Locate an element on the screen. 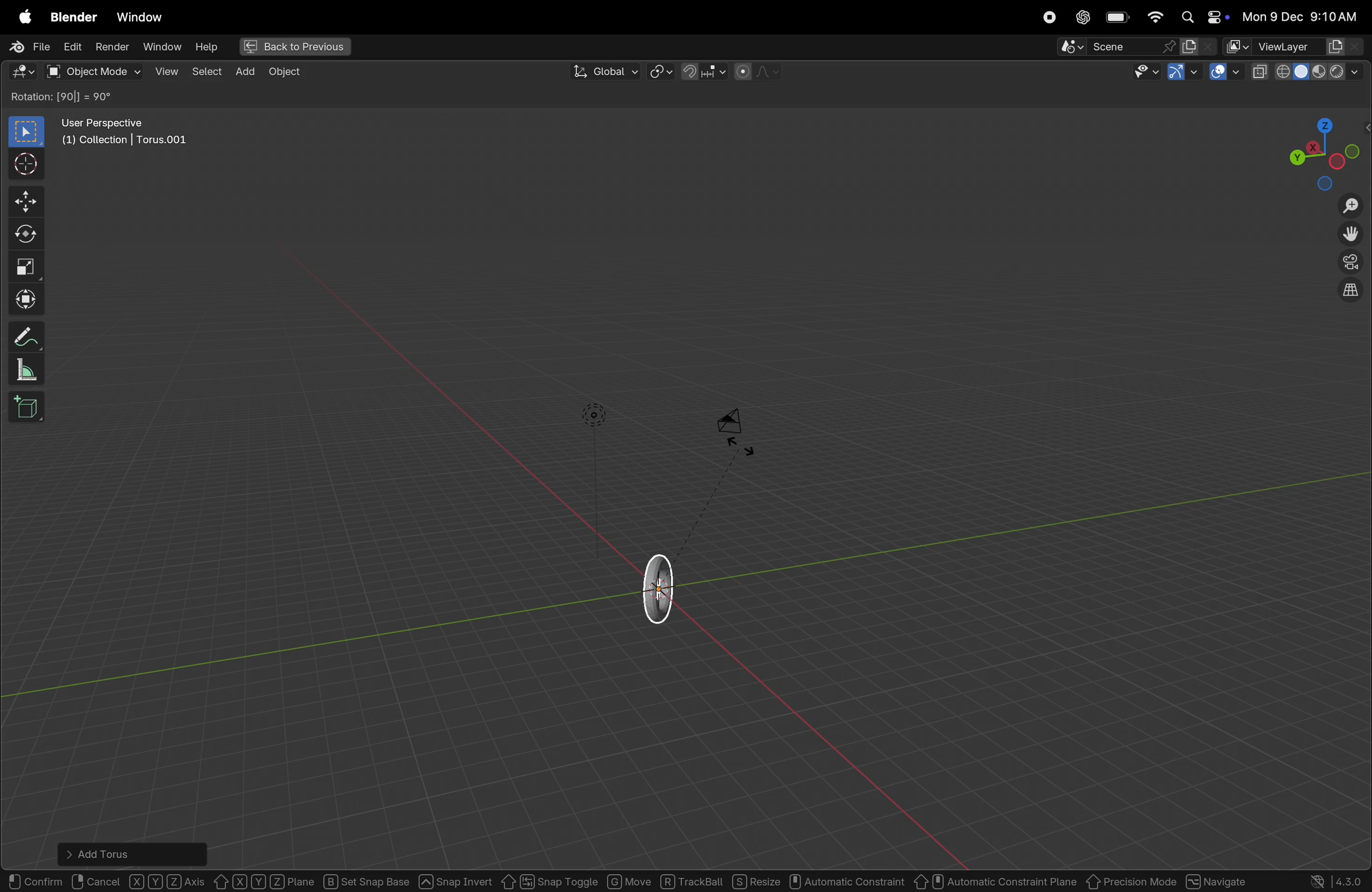 Image resolution: width=1372 pixels, height=892 pixels. lights is located at coordinates (594, 415).